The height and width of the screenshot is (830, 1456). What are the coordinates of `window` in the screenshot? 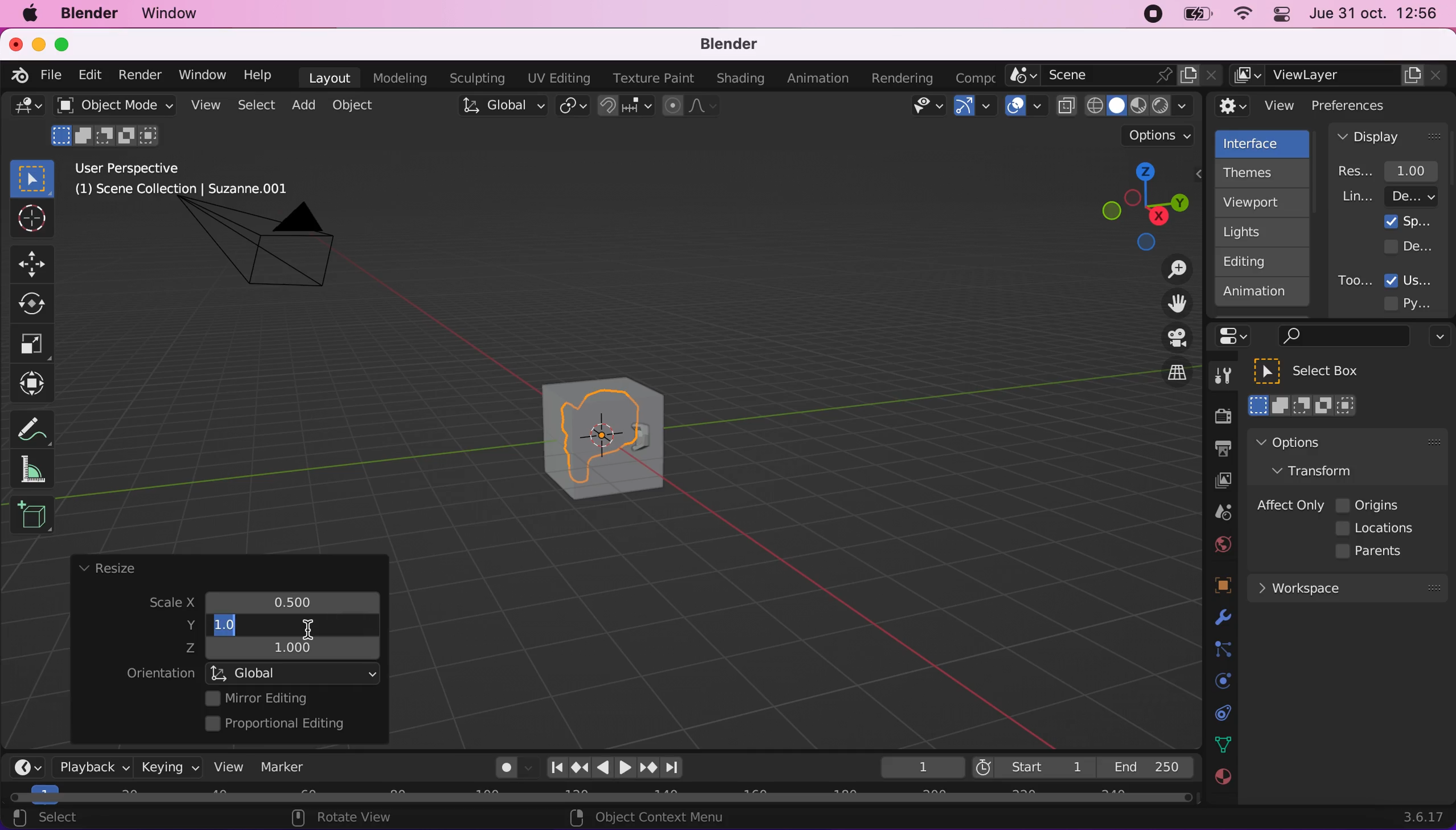 It's located at (201, 75).